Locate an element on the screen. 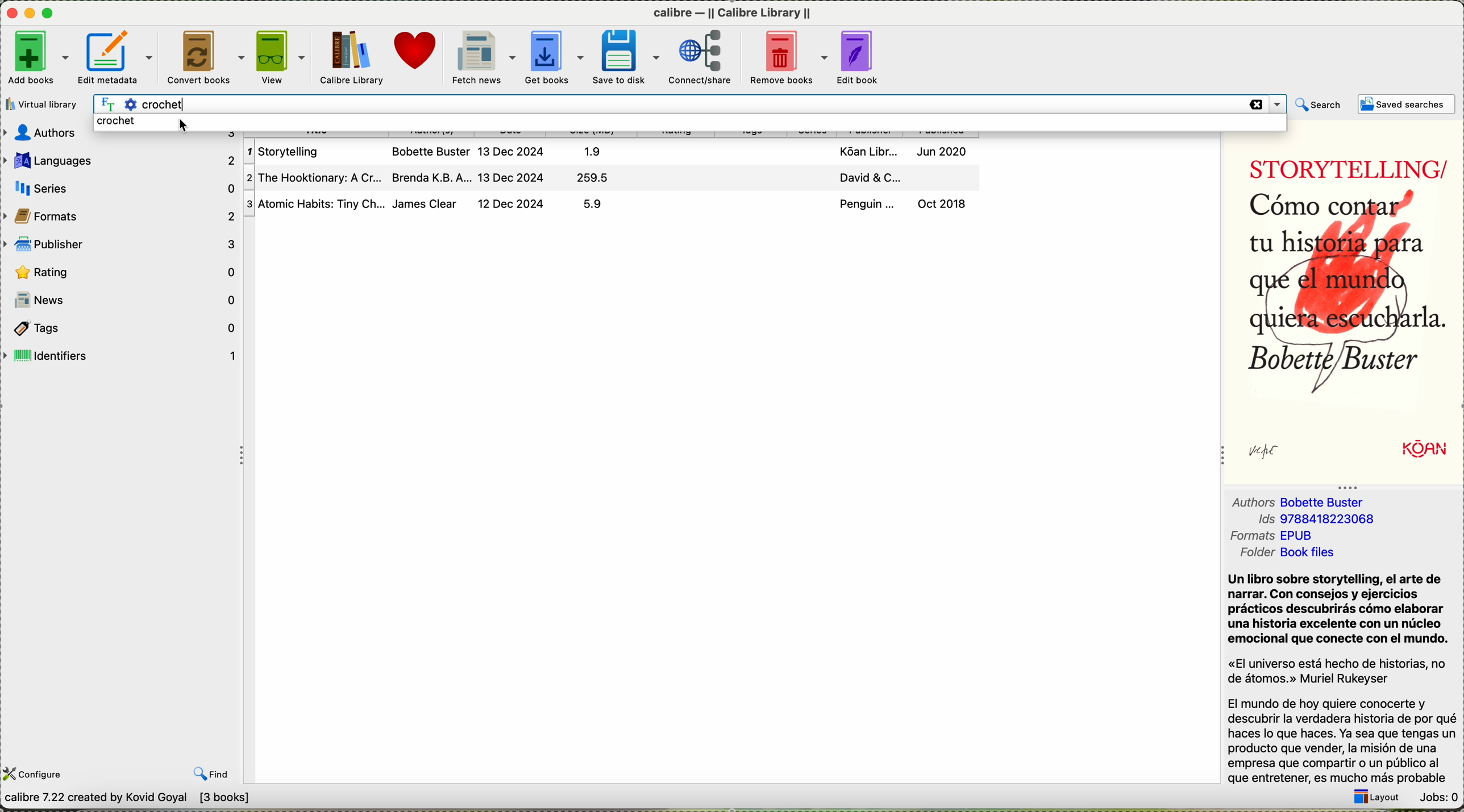  search is located at coordinates (1319, 105).